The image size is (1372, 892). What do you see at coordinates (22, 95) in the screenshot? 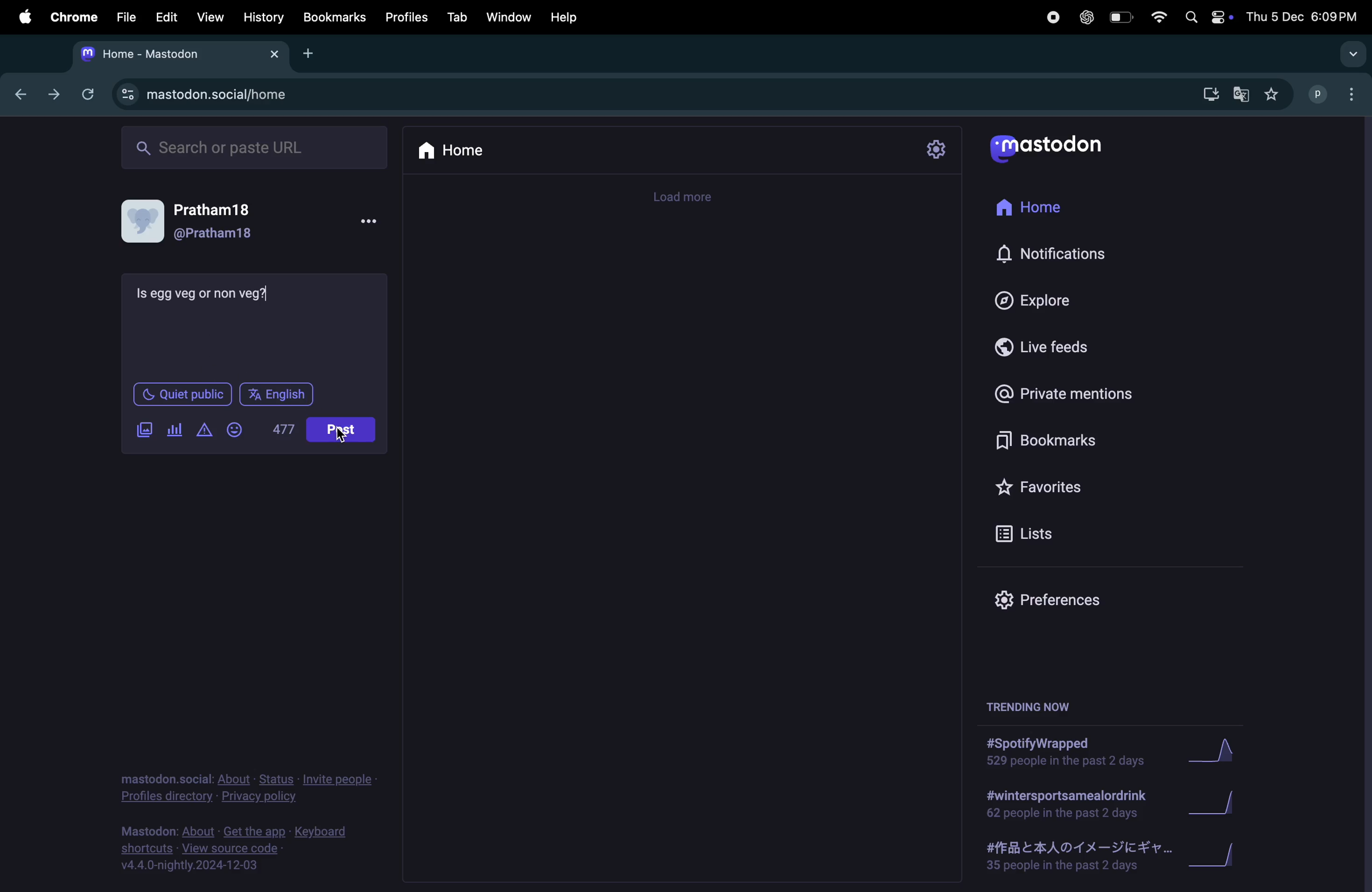
I see `backward` at bounding box center [22, 95].